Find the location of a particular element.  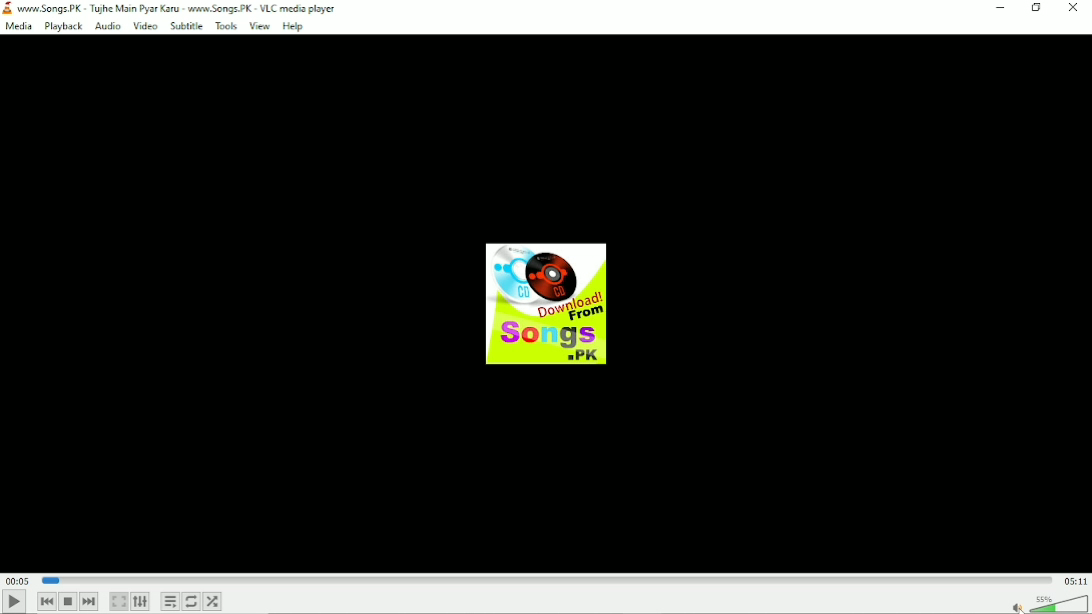

logo is located at coordinates (7, 10).